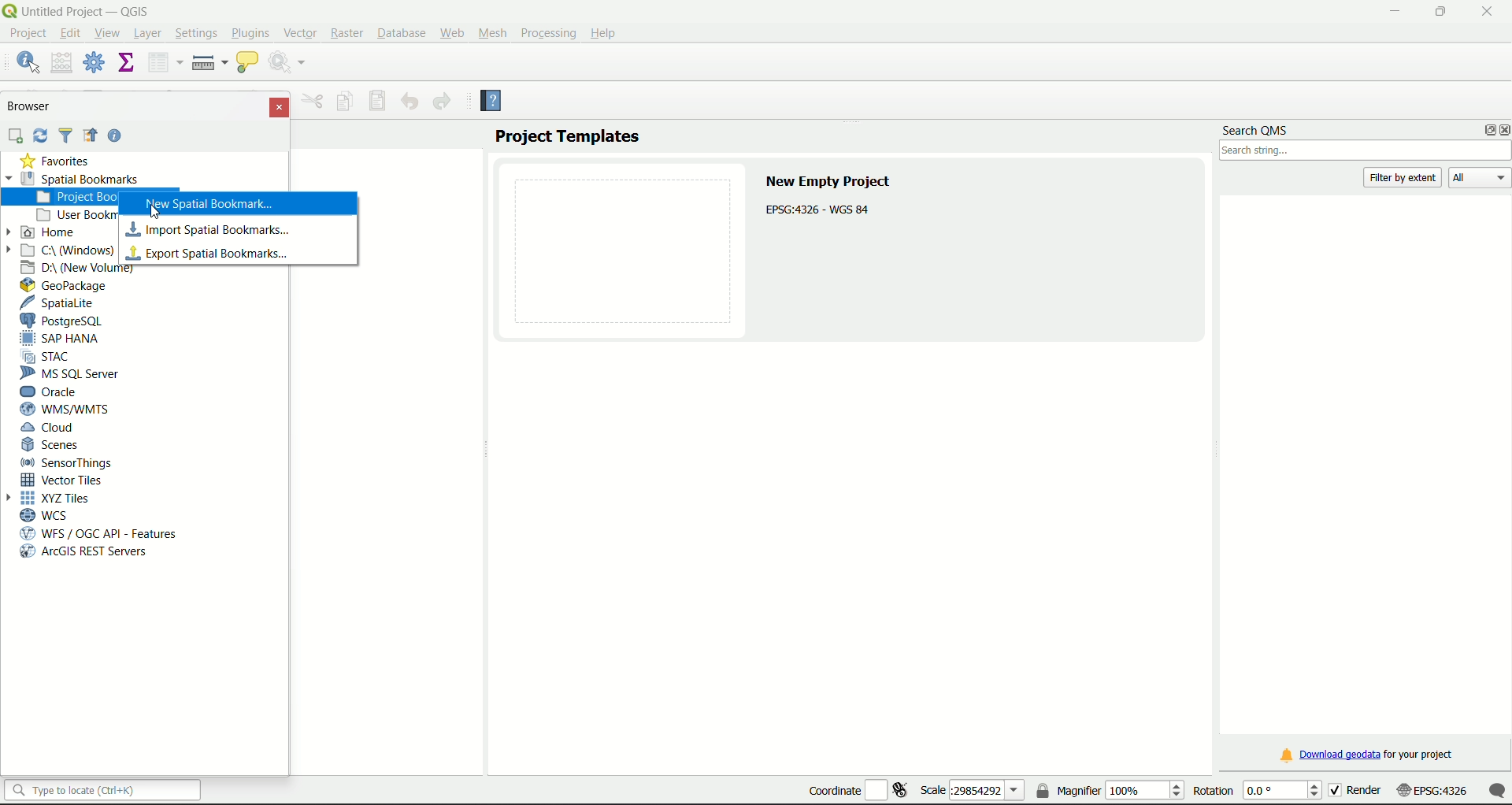 Image resolution: width=1512 pixels, height=805 pixels. What do you see at coordinates (493, 33) in the screenshot?
I see `Mesh` at bounding box center [493, 33].